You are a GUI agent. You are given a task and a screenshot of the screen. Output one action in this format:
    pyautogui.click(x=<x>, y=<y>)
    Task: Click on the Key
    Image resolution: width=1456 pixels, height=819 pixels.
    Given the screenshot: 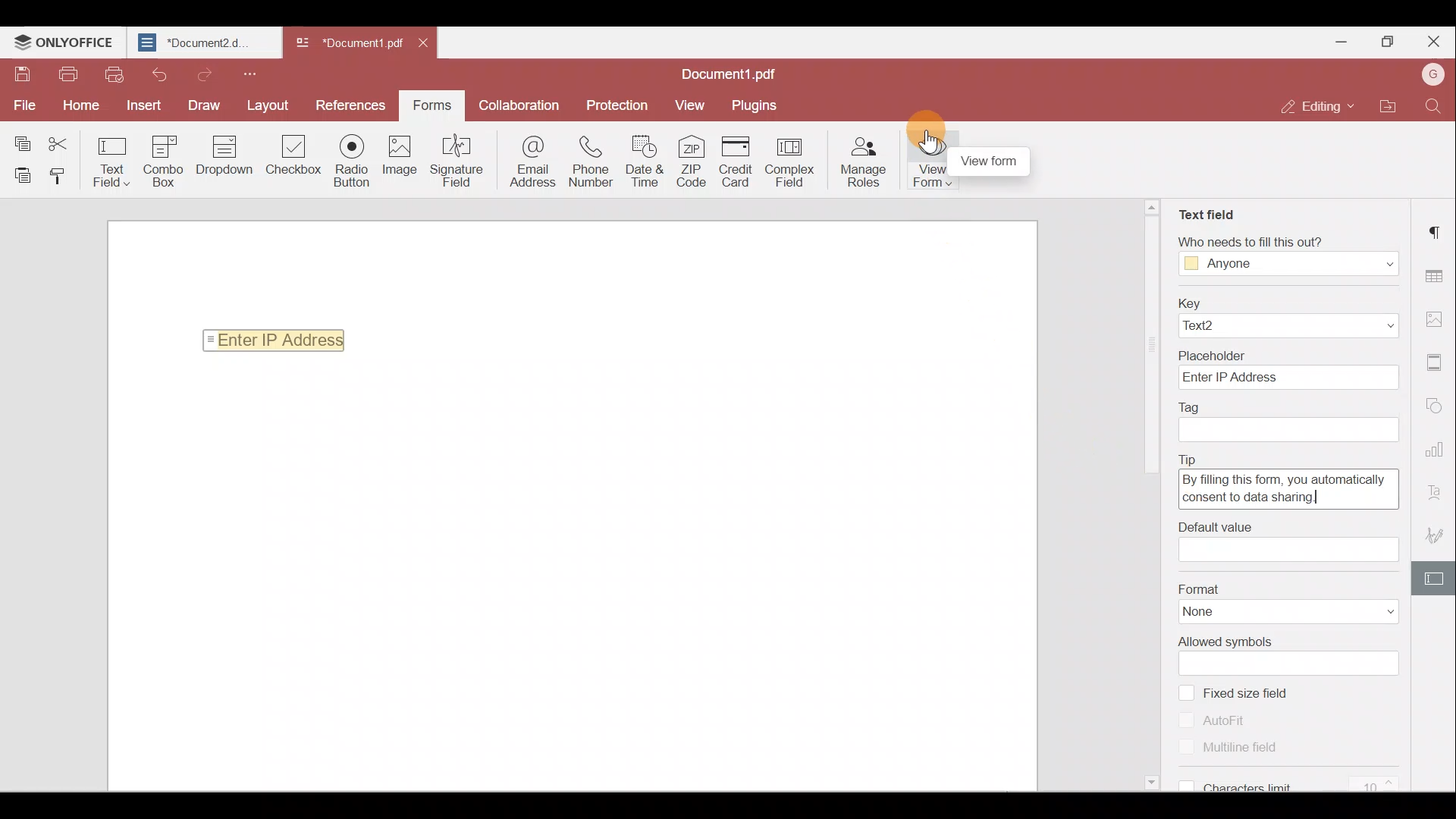 What is the action you would take?
    pyautogui.click(x=1288, y=302)
    